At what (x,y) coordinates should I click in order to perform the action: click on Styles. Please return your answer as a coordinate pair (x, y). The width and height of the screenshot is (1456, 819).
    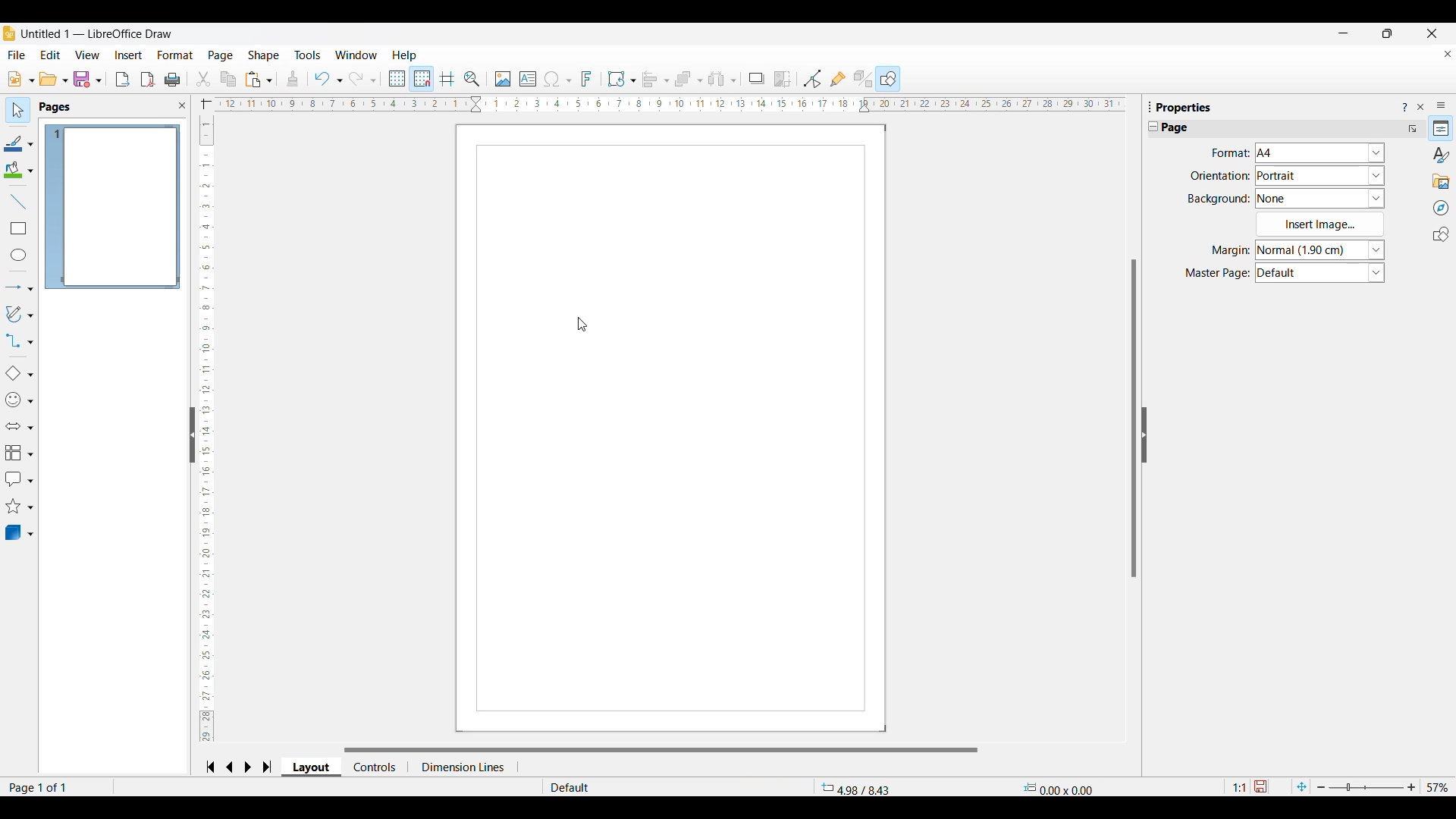
    Looking at the image, I should click on (1441, 155).